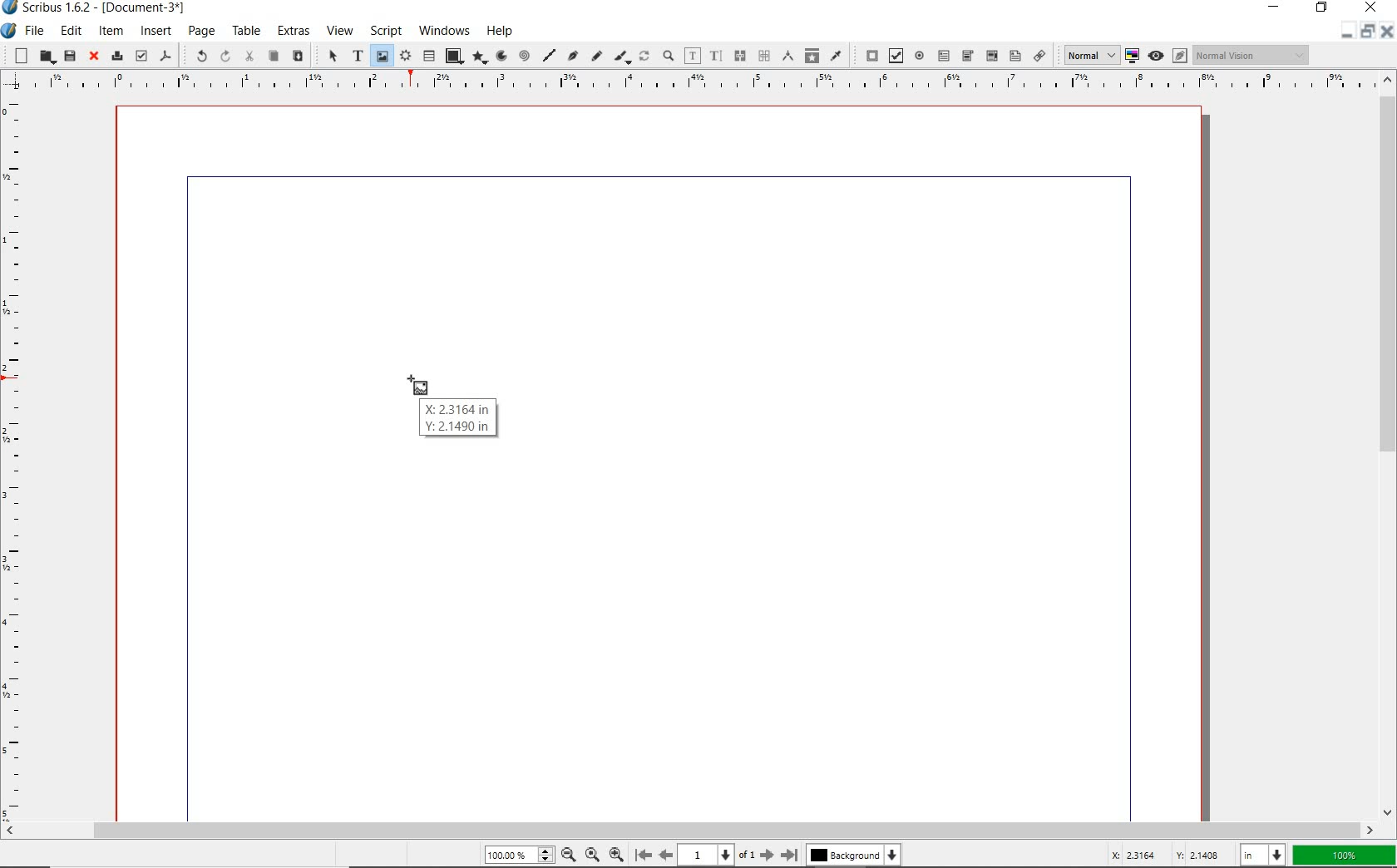 The width and height of the screenshot is (1397, 868). What do you see at coordinates (333, 55) in the screenshot?
I see `SELECT` at bounding box center [333, 55].